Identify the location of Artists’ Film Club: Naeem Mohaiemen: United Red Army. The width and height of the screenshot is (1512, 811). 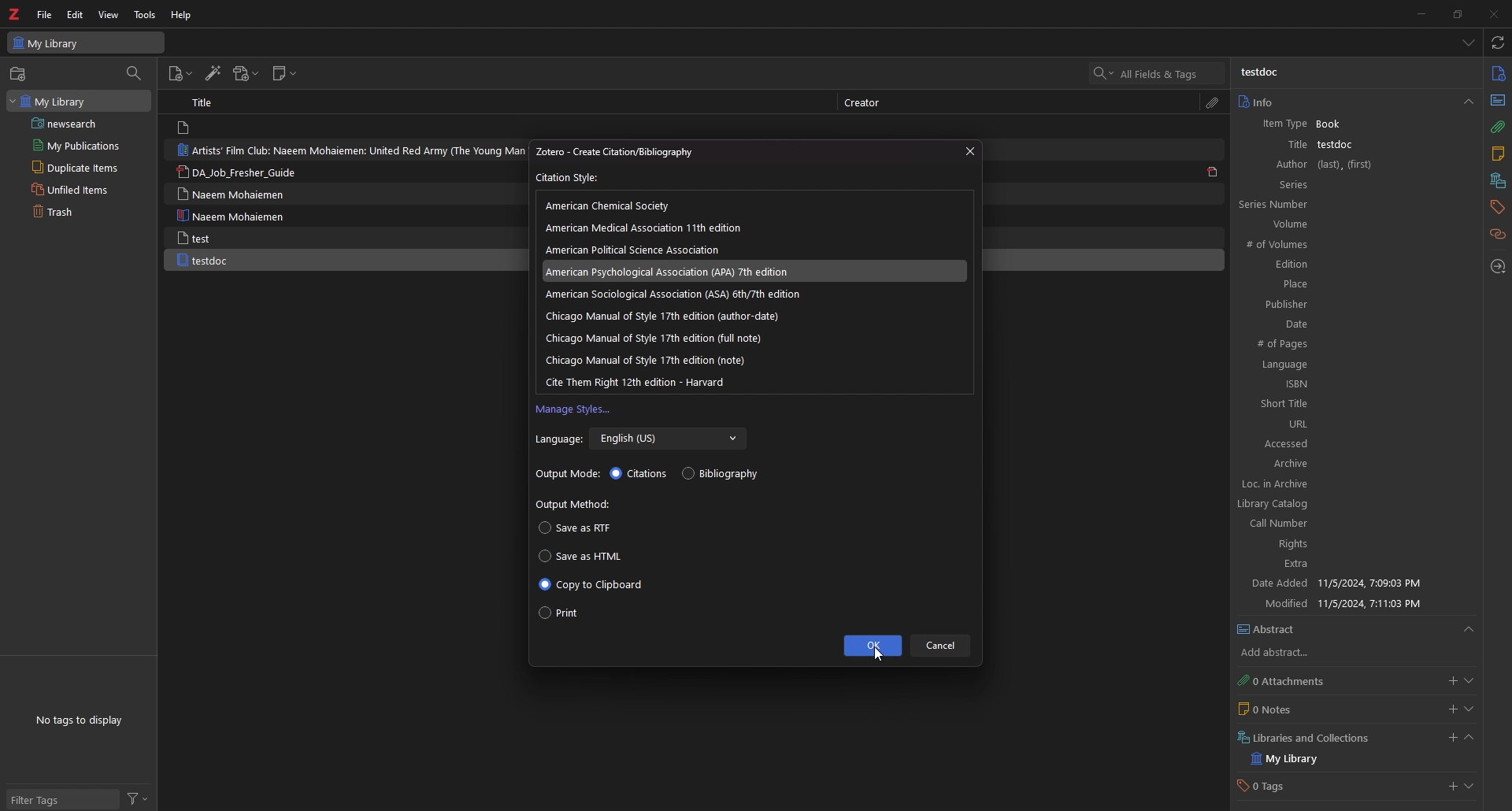
(347, 150).